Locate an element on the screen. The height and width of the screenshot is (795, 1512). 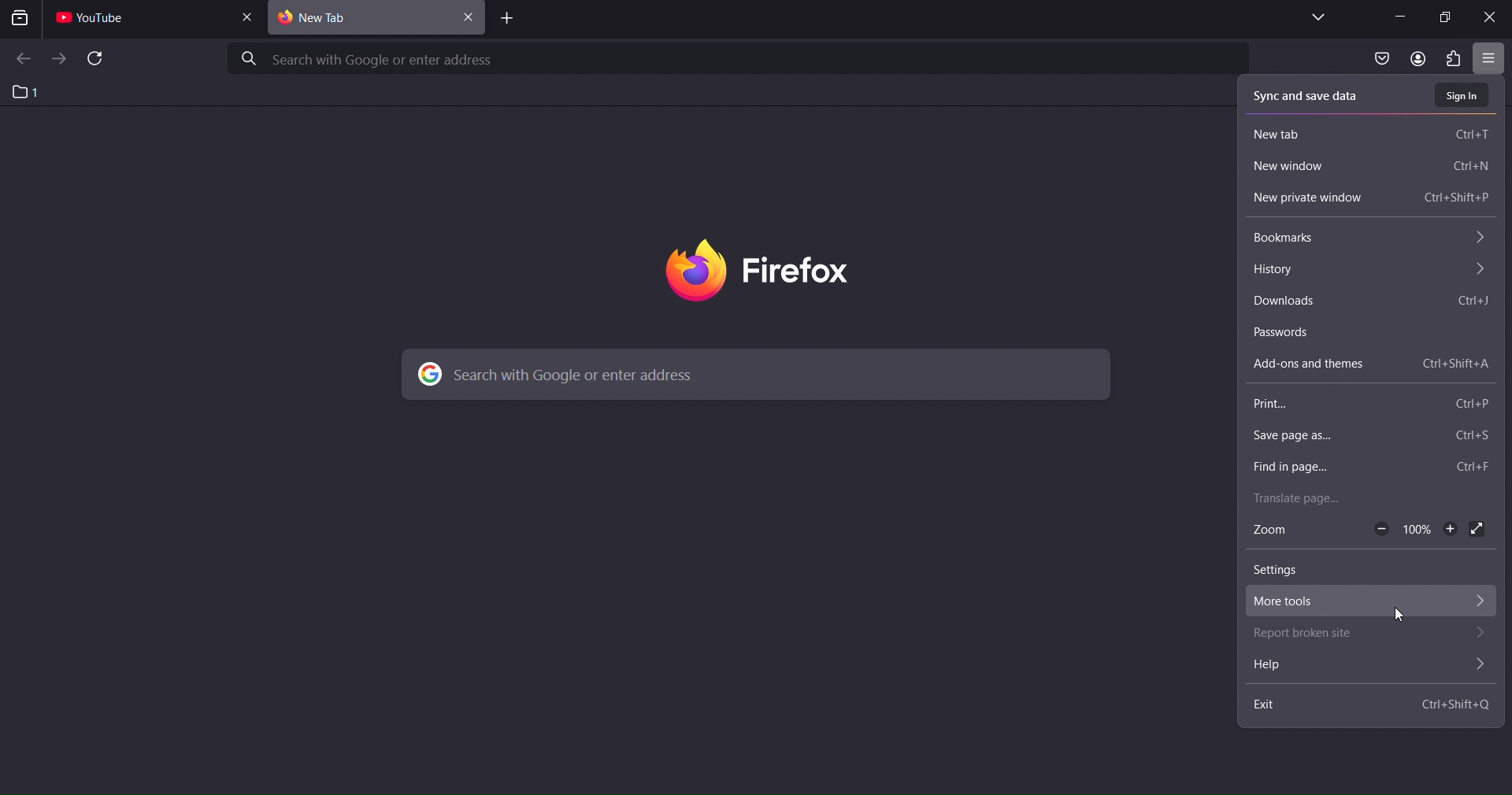
Ctrl+N is located at coordinates (1471, 168).